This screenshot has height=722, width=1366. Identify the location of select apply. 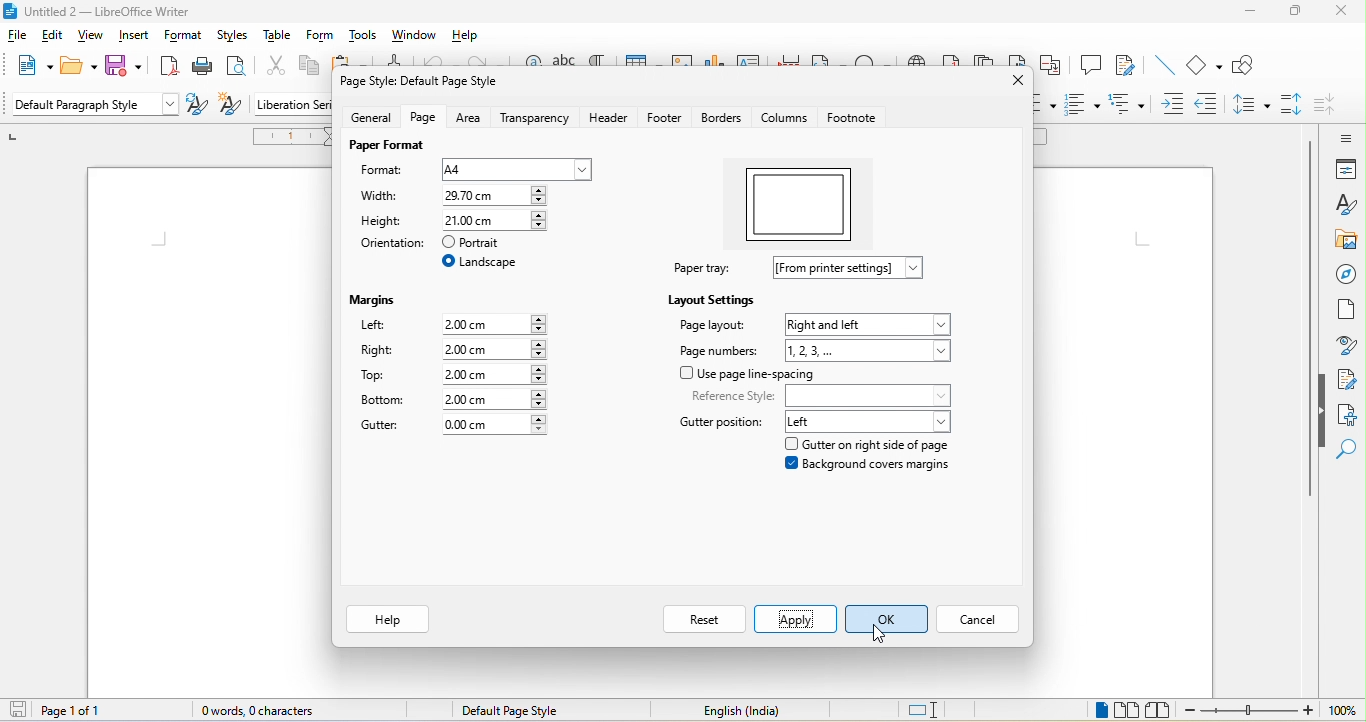
(794, 621).